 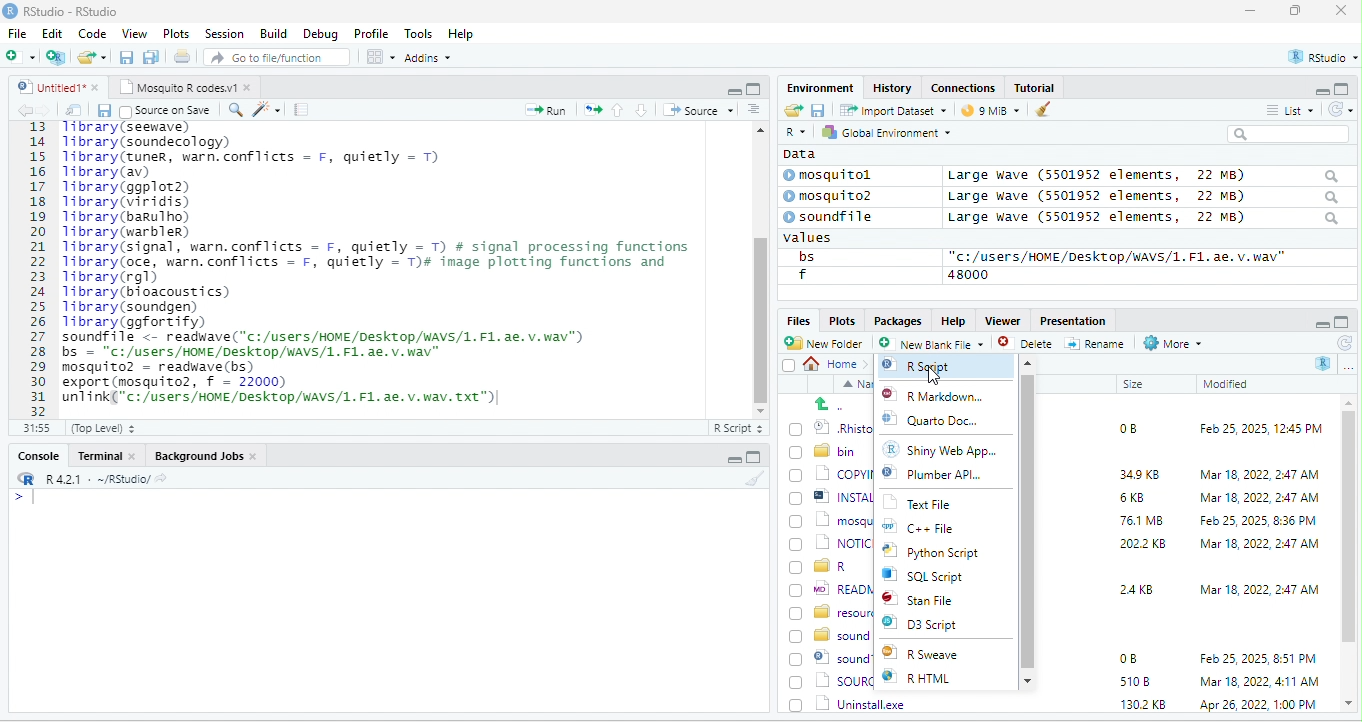 I want to click on Plots, so click(x=842, y=320).